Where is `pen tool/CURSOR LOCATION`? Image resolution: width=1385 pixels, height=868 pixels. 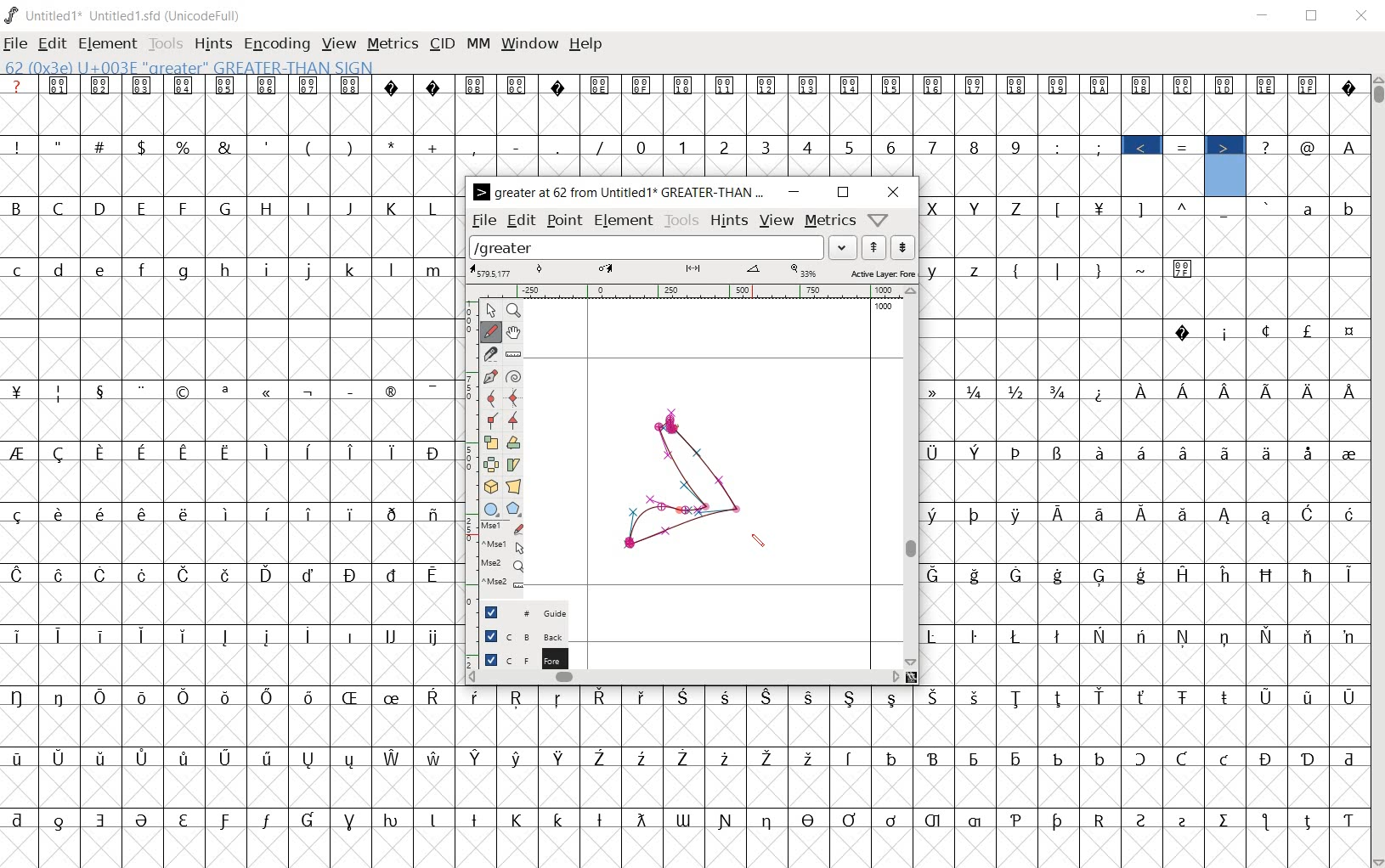
pen tool/CURSOR LOCATION is located at coordinates (760, 541).